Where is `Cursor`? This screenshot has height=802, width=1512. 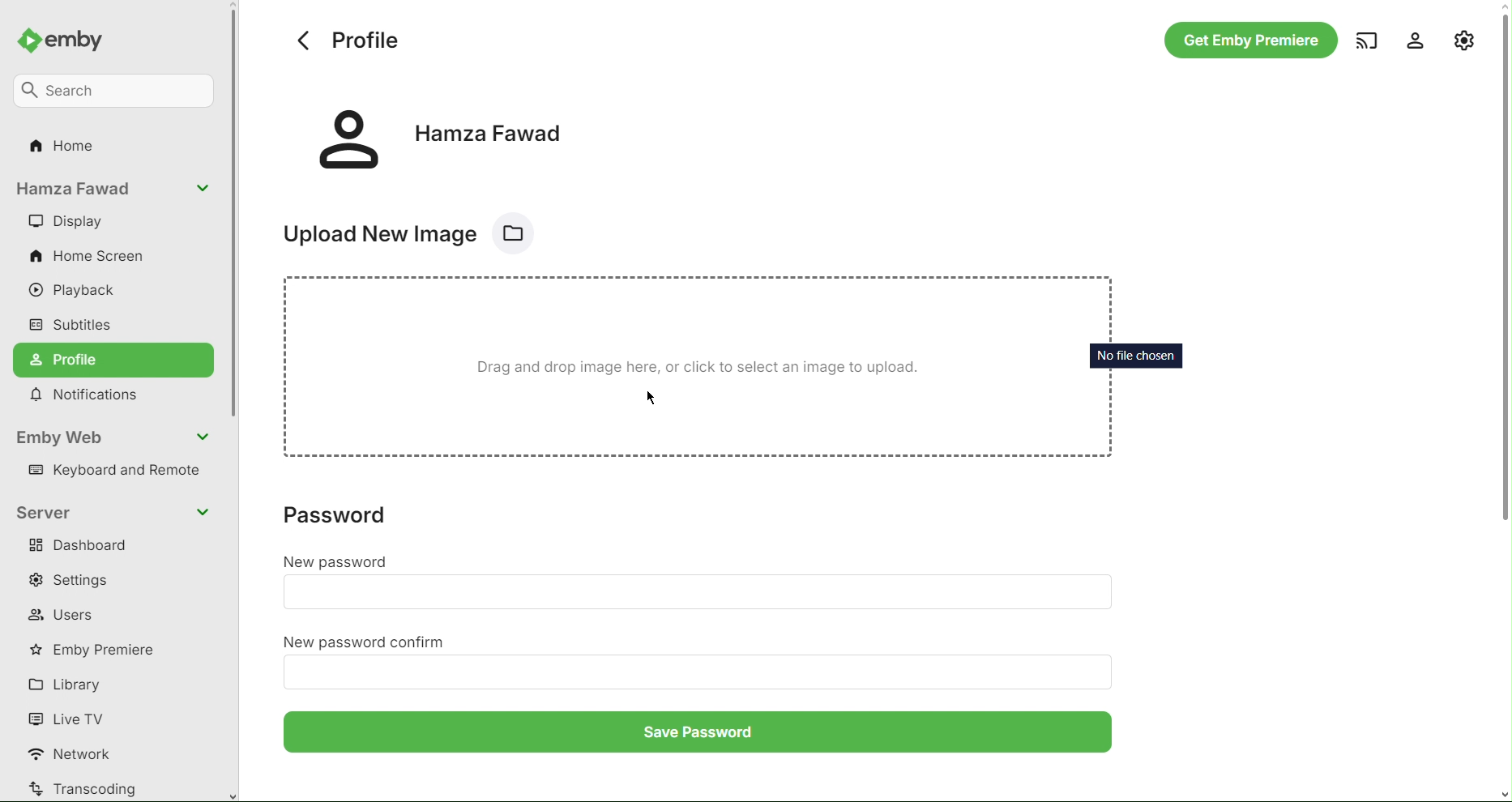
Cursor is located at coordinates (651, 399).